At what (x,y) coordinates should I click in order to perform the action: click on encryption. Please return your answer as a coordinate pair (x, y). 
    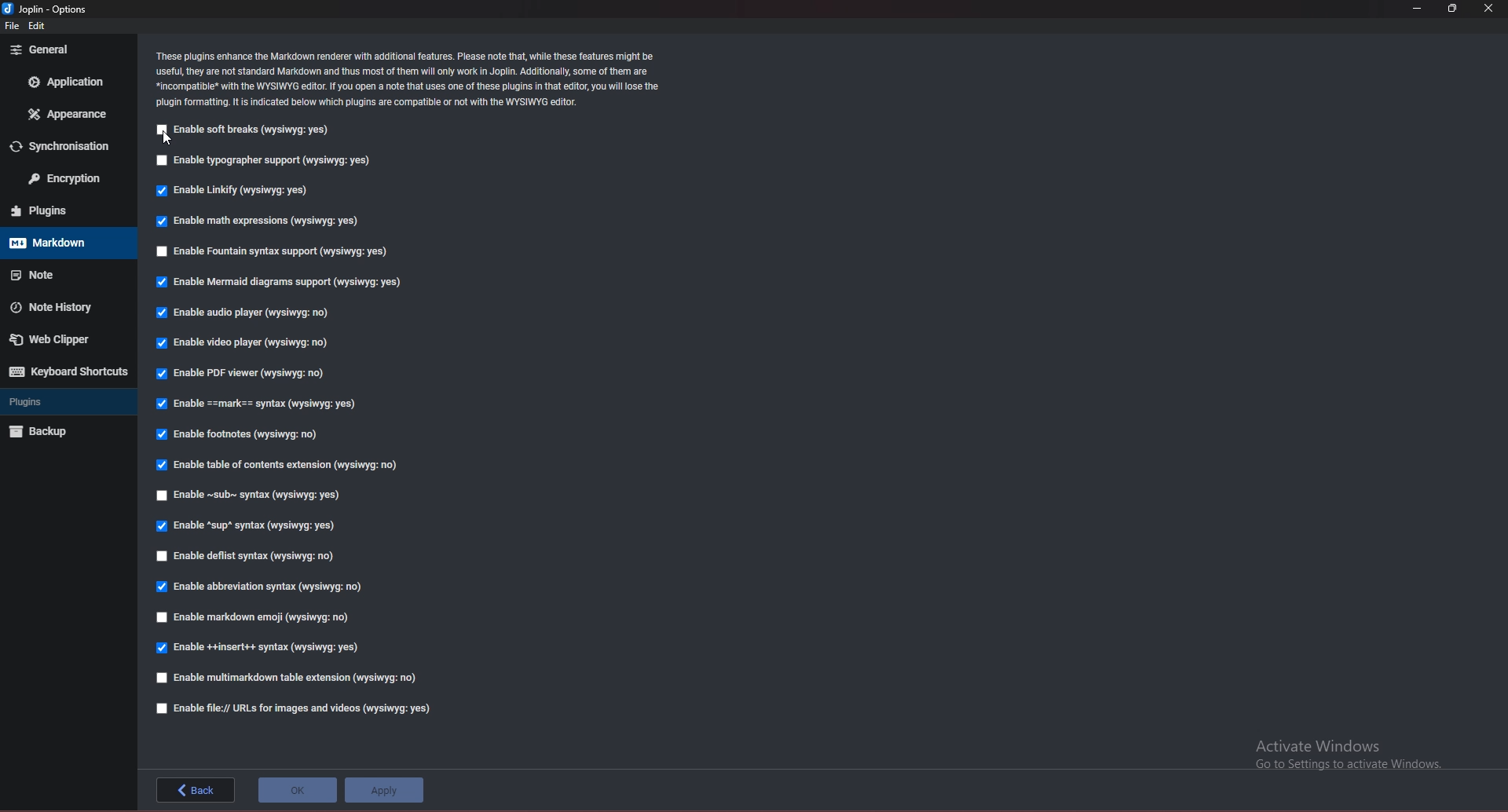
    Looking at the image, I should click on (65, 180).